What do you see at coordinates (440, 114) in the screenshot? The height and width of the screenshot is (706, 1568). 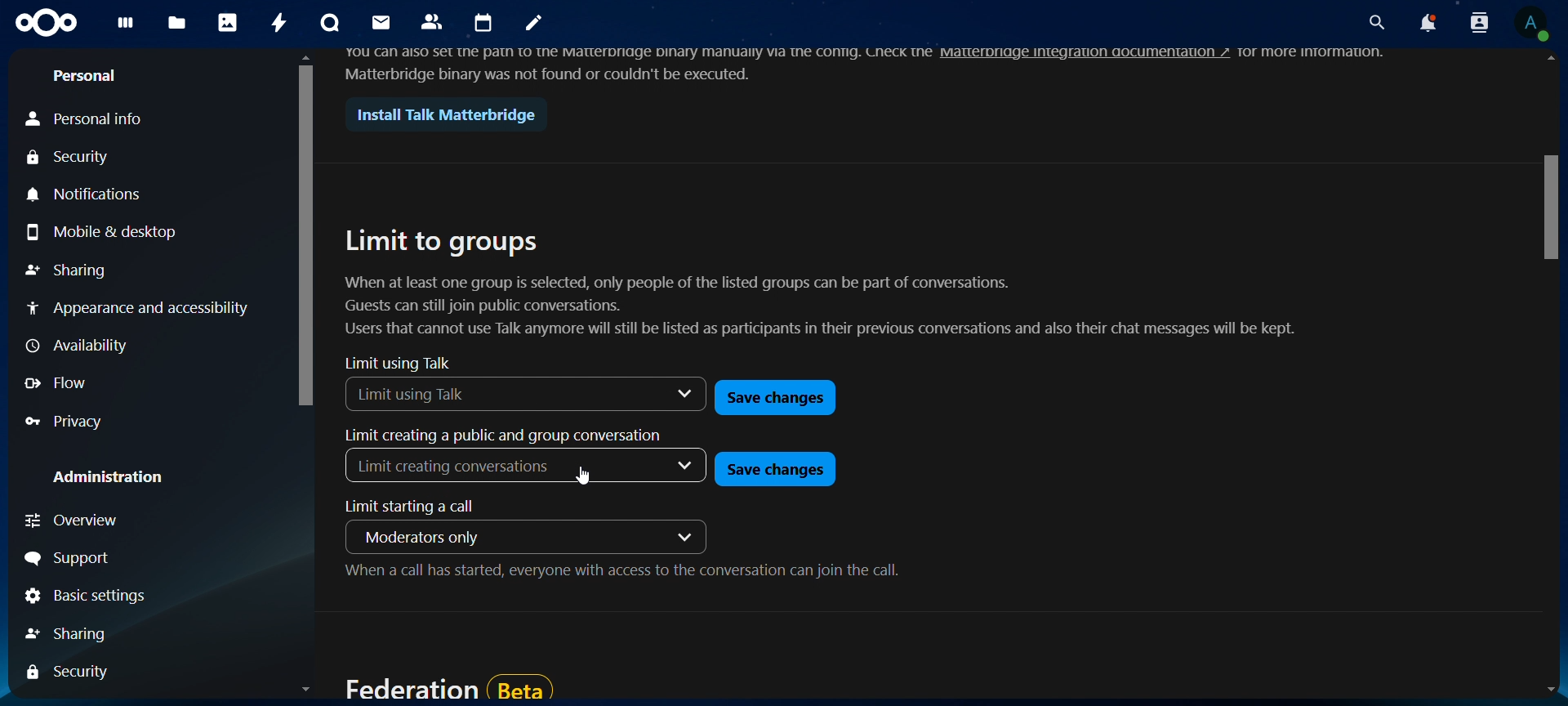 I see `Install Talk Matterbridge` at bounding box center [440, 114].